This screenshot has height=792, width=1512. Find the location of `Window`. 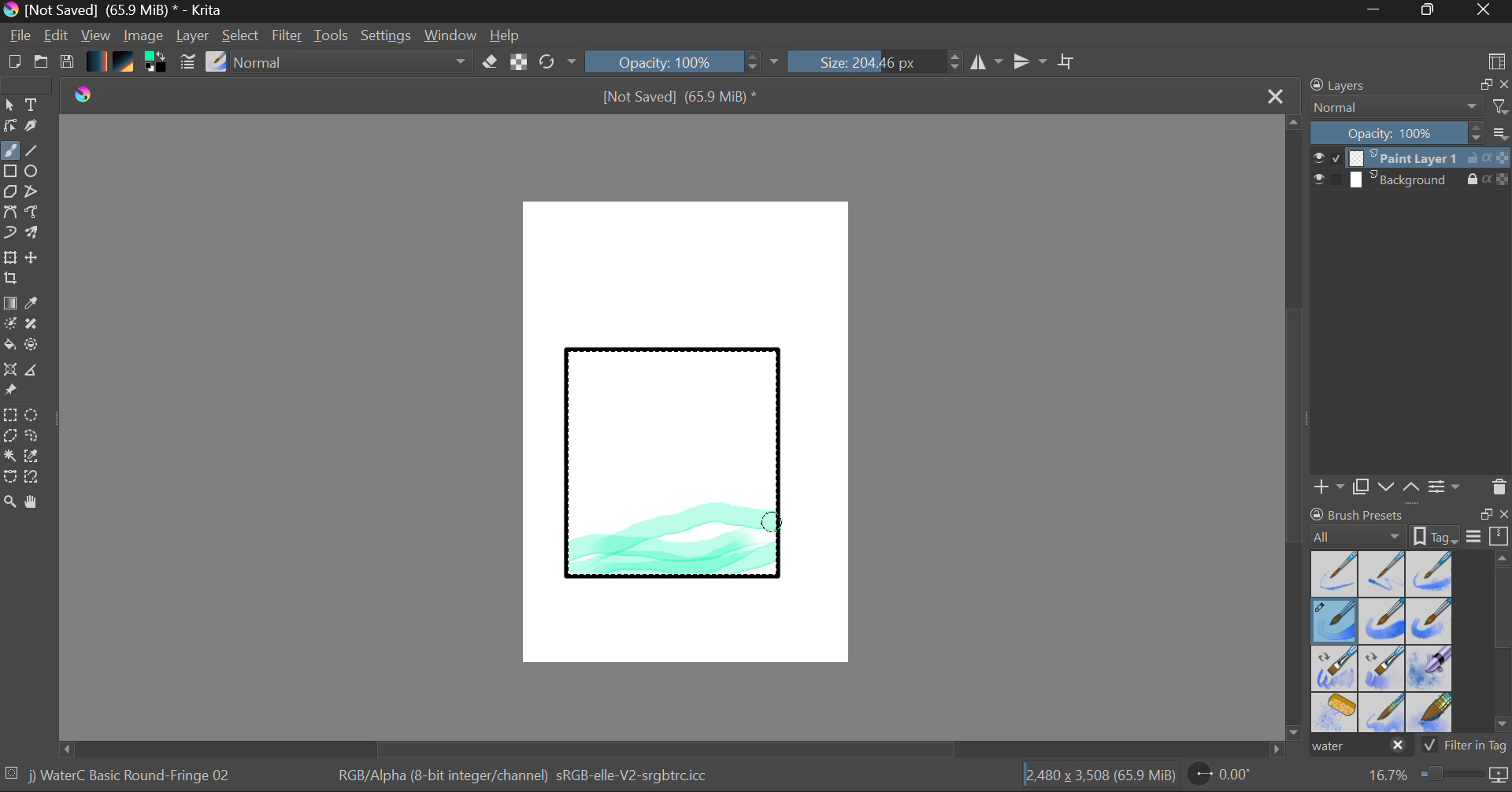

Window is located at coordinates (453, 35).